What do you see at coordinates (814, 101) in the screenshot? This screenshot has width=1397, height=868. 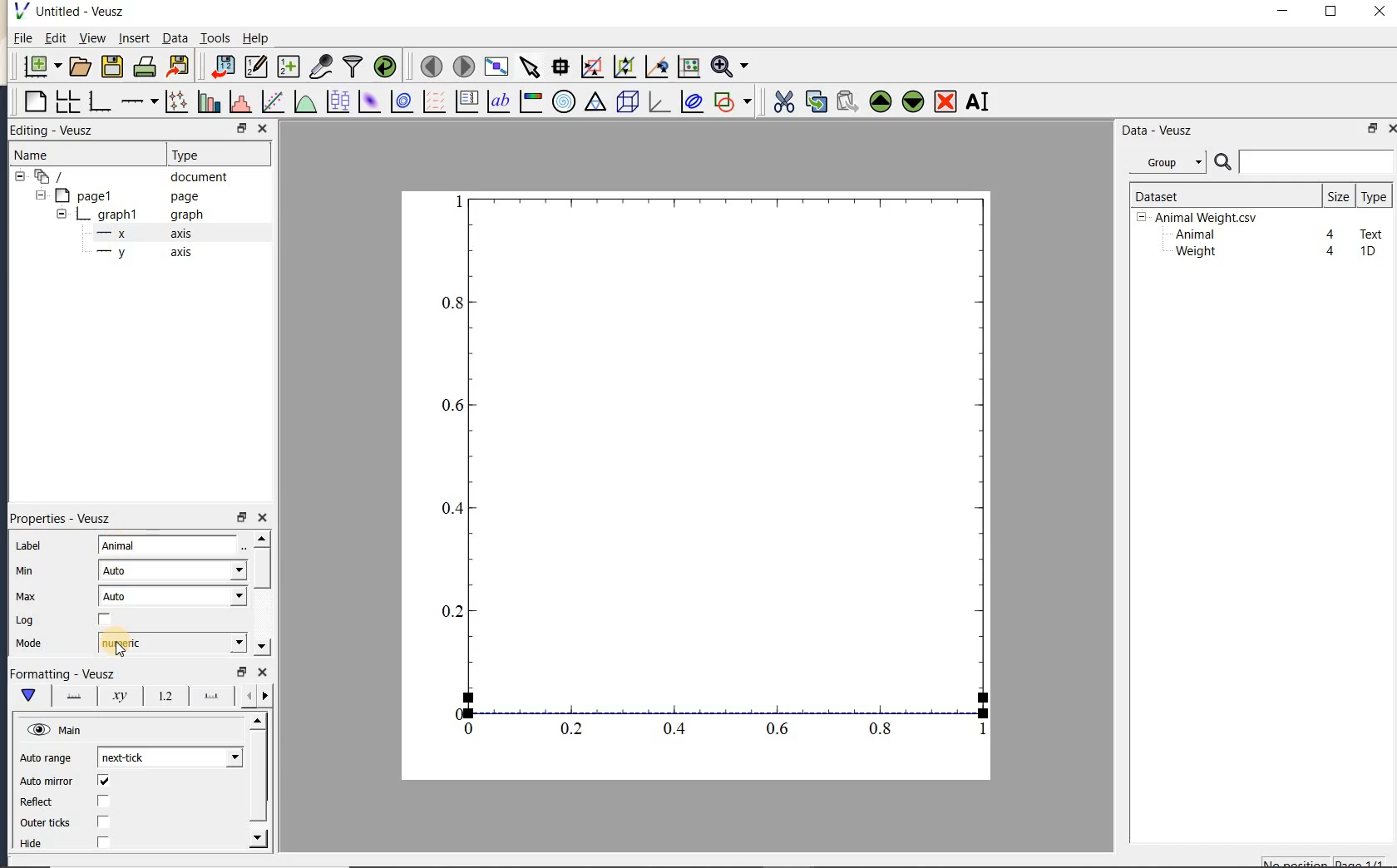 I see `copy the selected widget` at bounding box center [814, 101].